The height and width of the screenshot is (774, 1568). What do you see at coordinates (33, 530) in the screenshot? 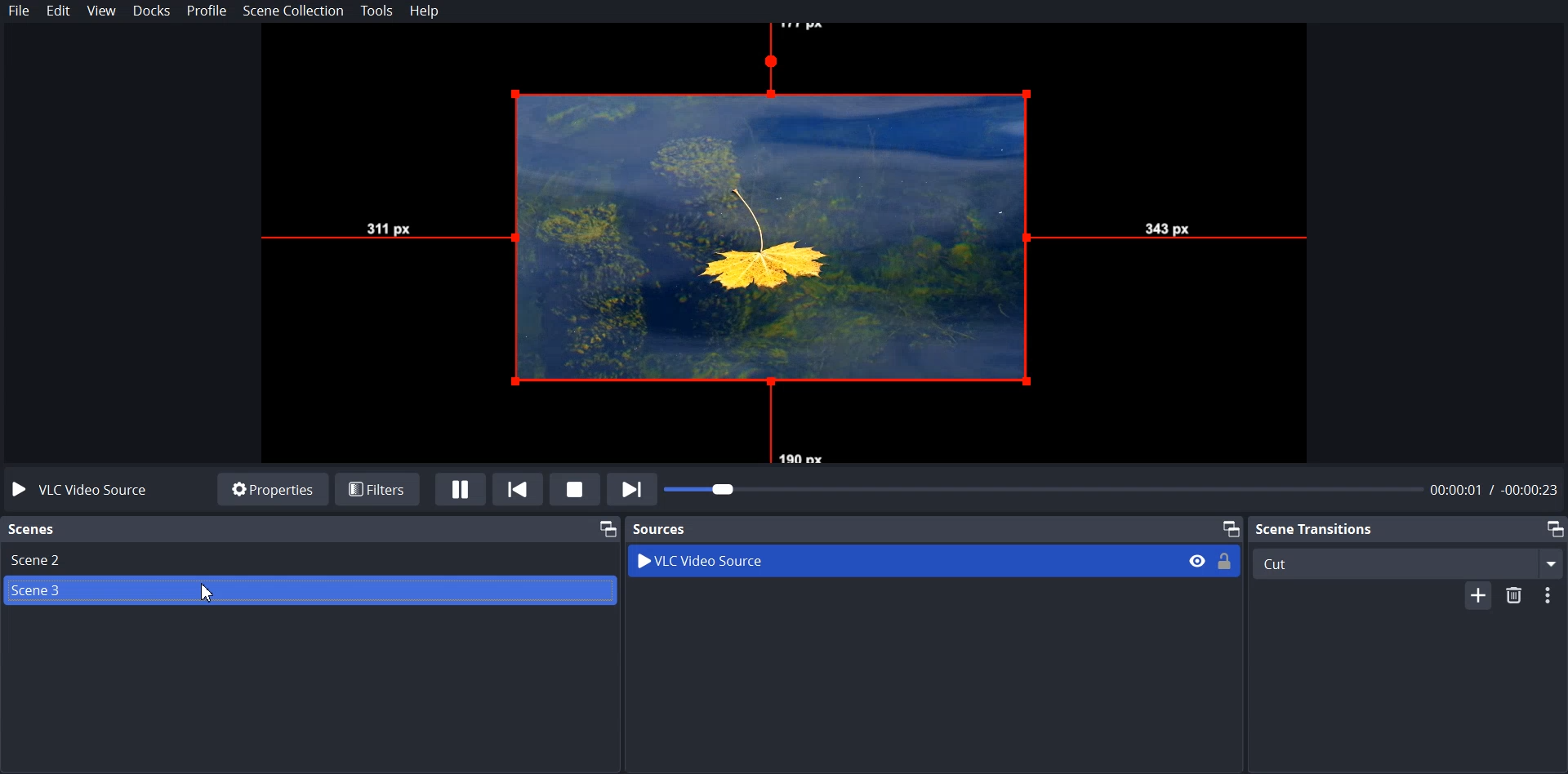
I see `Scene` at bounding box center [33, 530].